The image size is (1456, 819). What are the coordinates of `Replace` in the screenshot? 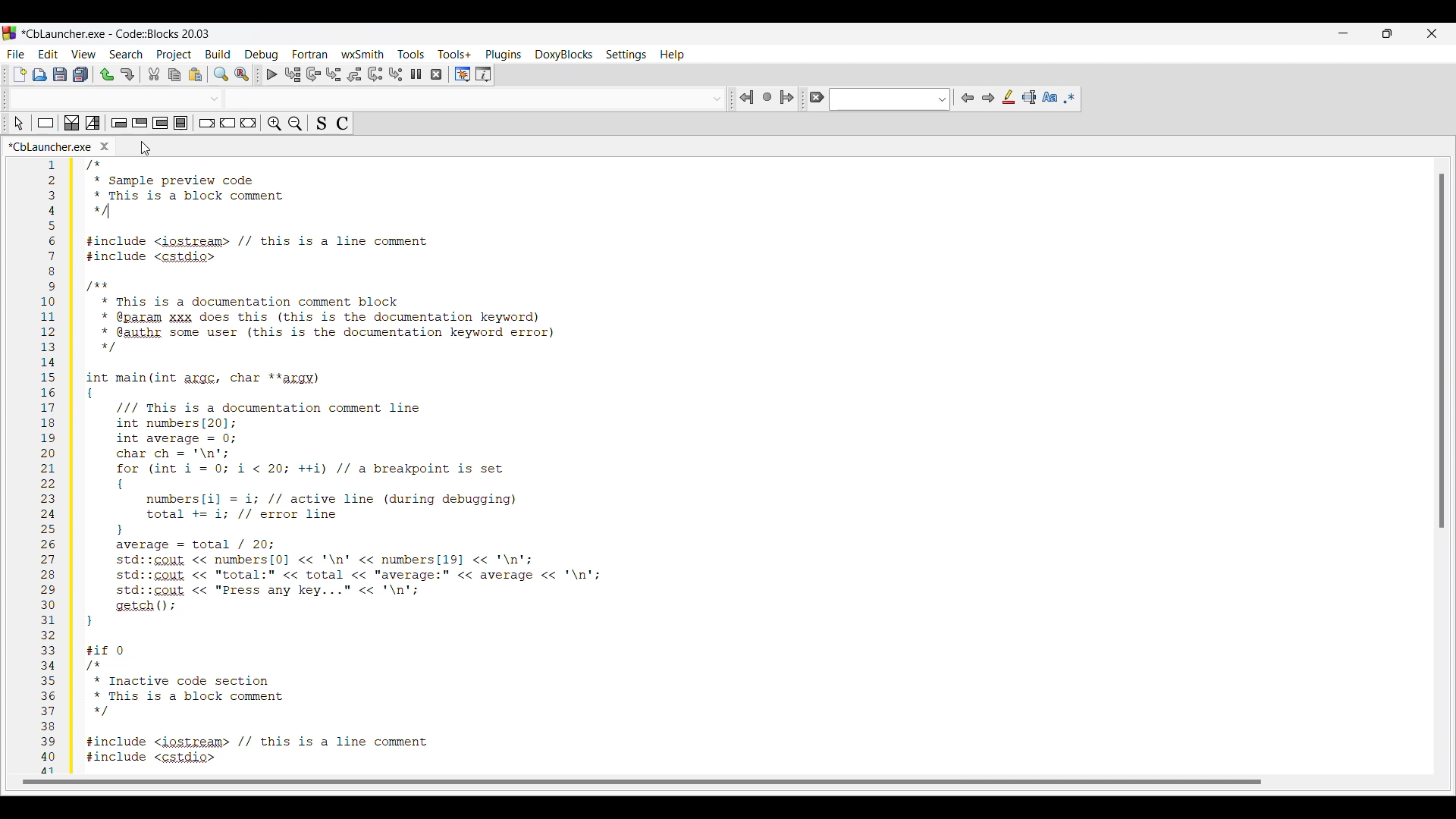 It's located at (242, 74).